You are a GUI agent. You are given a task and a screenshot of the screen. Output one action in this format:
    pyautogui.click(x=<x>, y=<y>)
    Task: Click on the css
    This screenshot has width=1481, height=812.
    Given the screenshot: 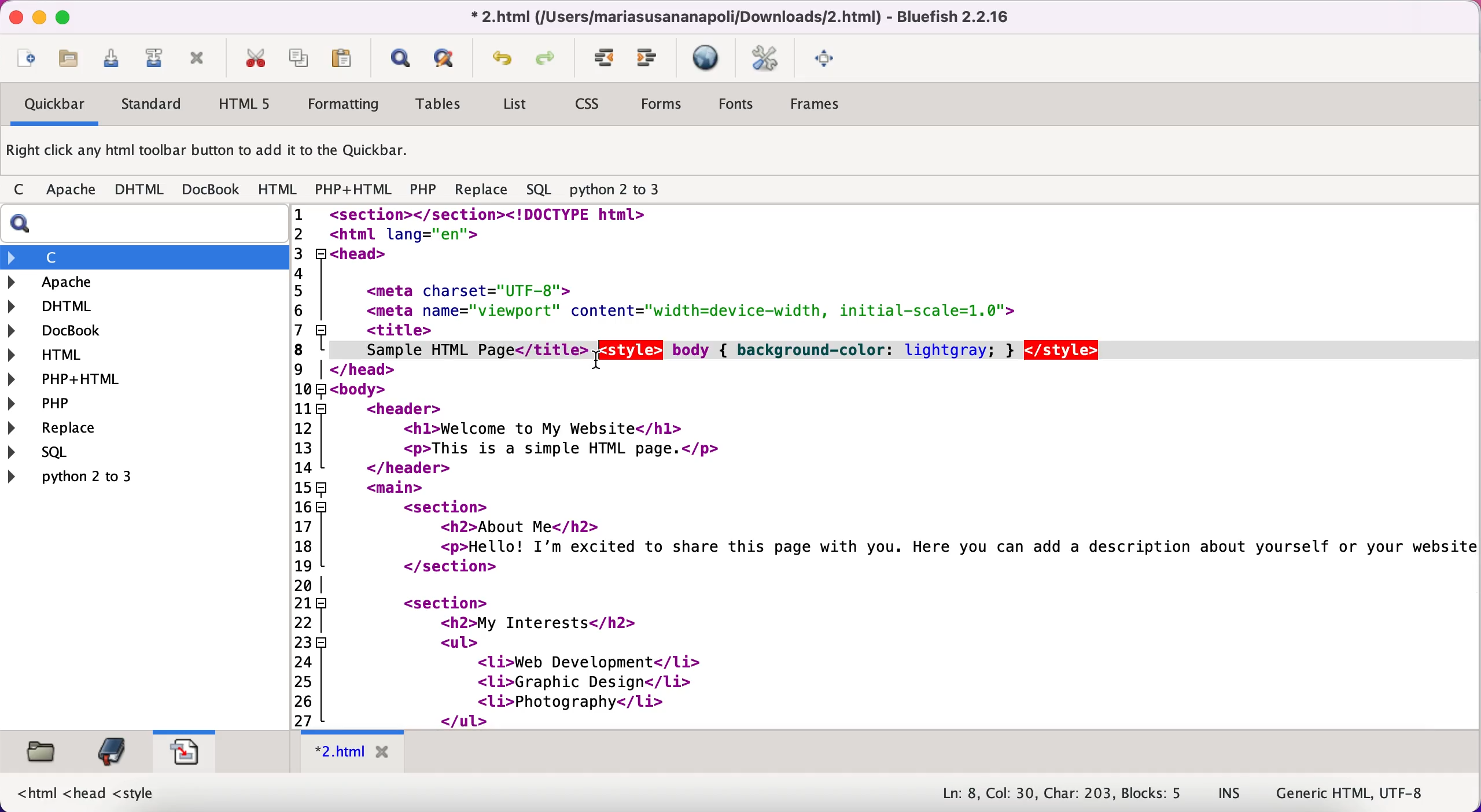 What is the action you would take?
    pyautogui.click(x=589, y=105)
    